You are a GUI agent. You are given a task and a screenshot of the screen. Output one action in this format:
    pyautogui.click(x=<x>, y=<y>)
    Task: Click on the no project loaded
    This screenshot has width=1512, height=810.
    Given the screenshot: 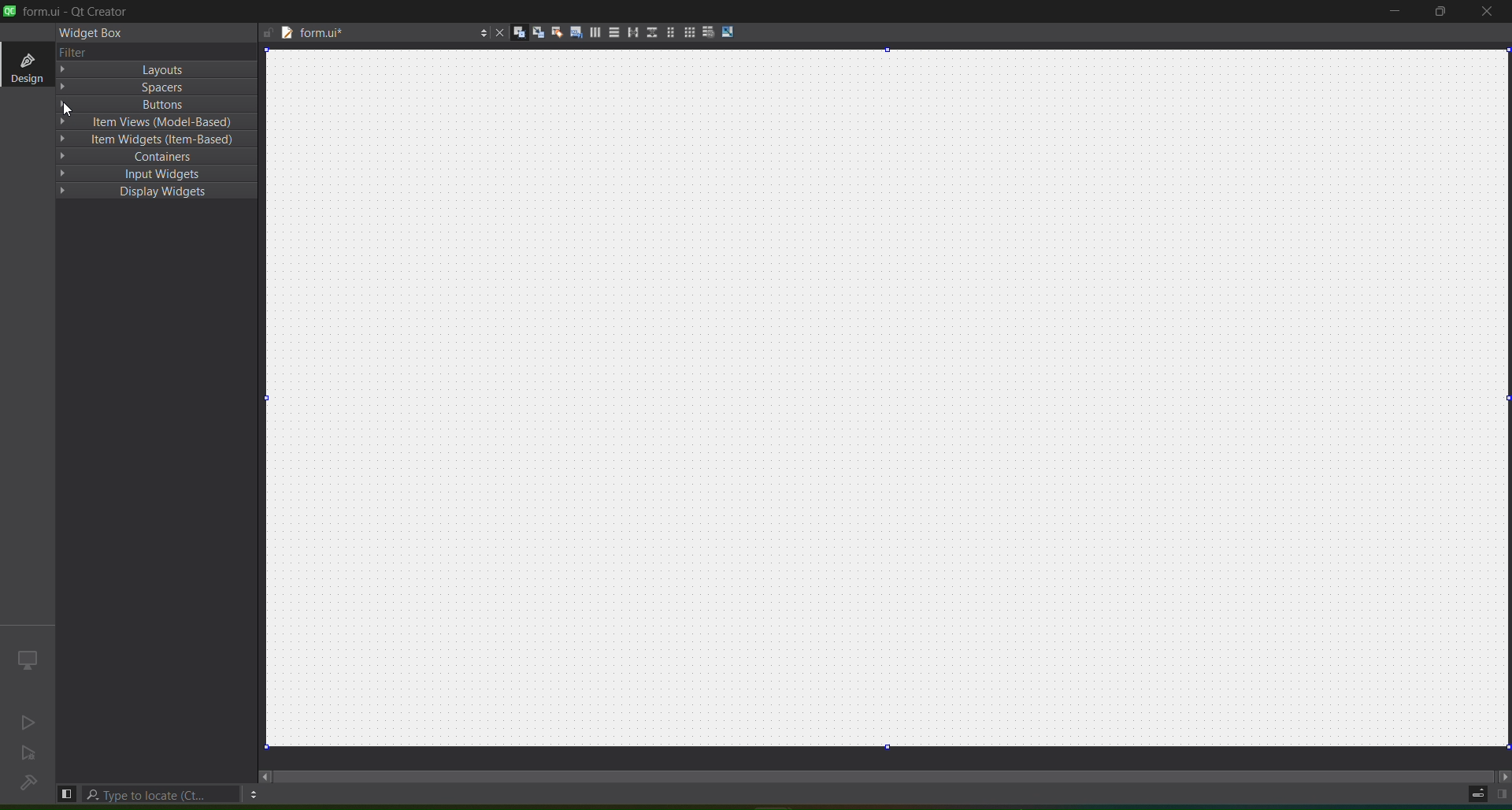 What is the action you would take?
    pyautogui.click(x=30, y=782)
    